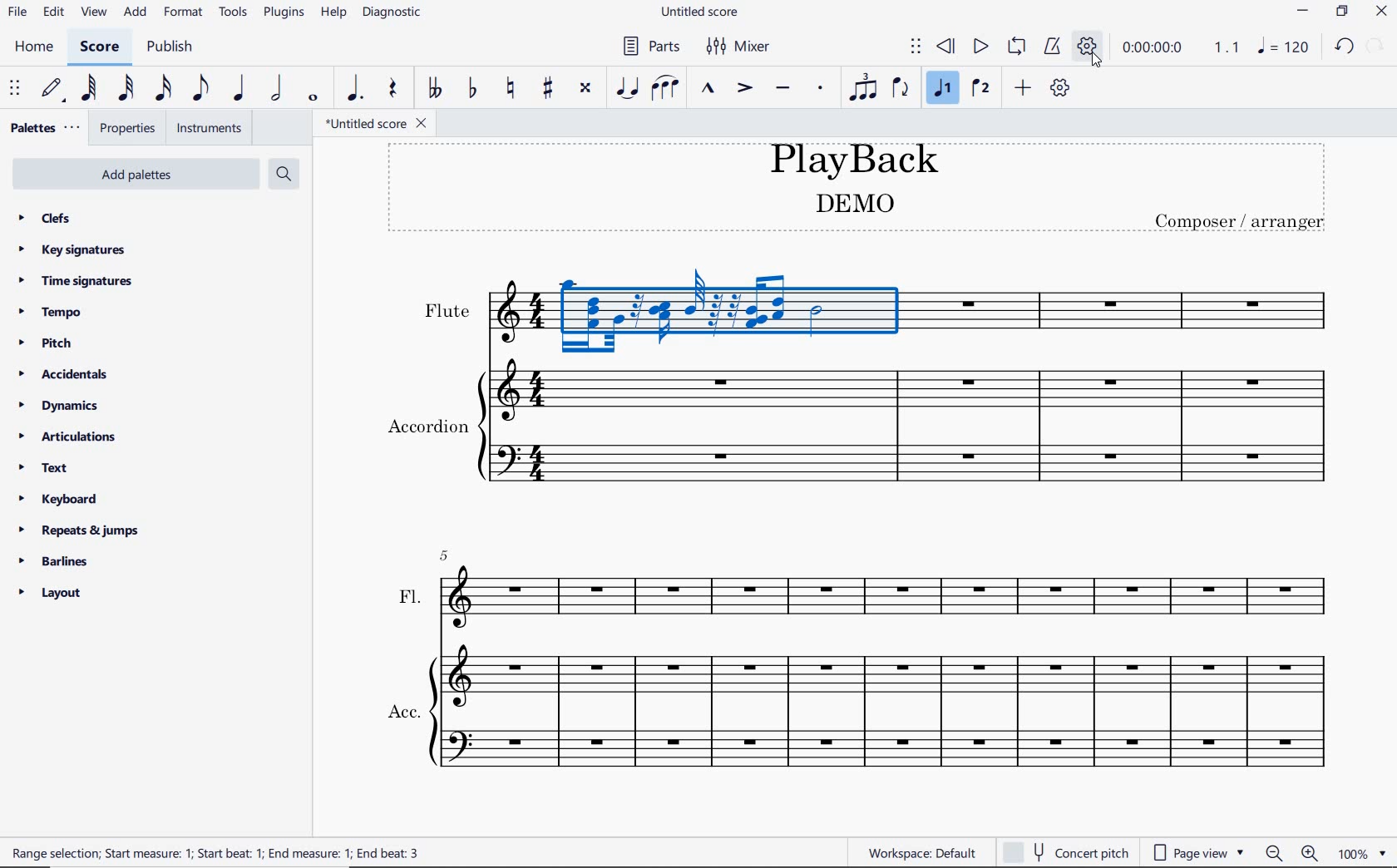 The image size is (1397, 868). Describe the element at coordinates (1017, 47) in the screenshot. I see `loop playback` at that location.